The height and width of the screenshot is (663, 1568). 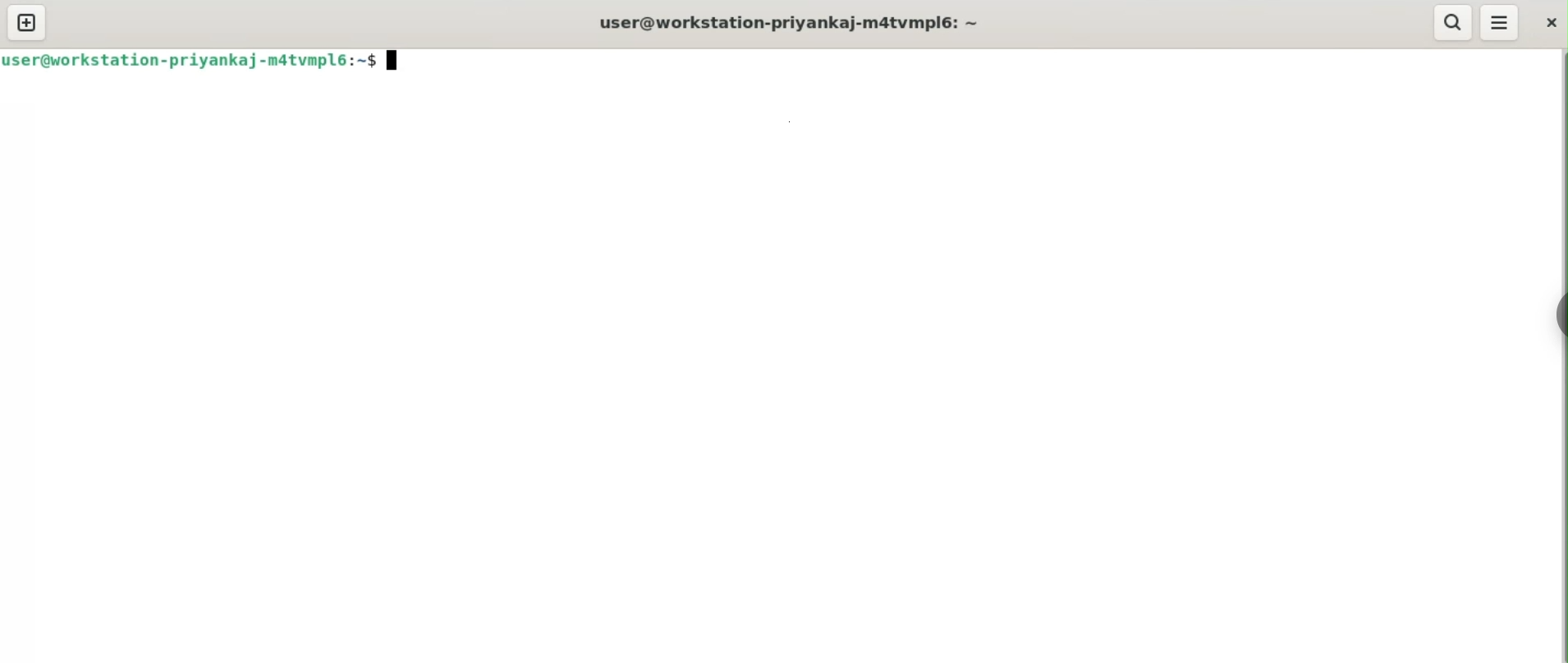 I want to click on More Options, so click(x=1500, y=22).